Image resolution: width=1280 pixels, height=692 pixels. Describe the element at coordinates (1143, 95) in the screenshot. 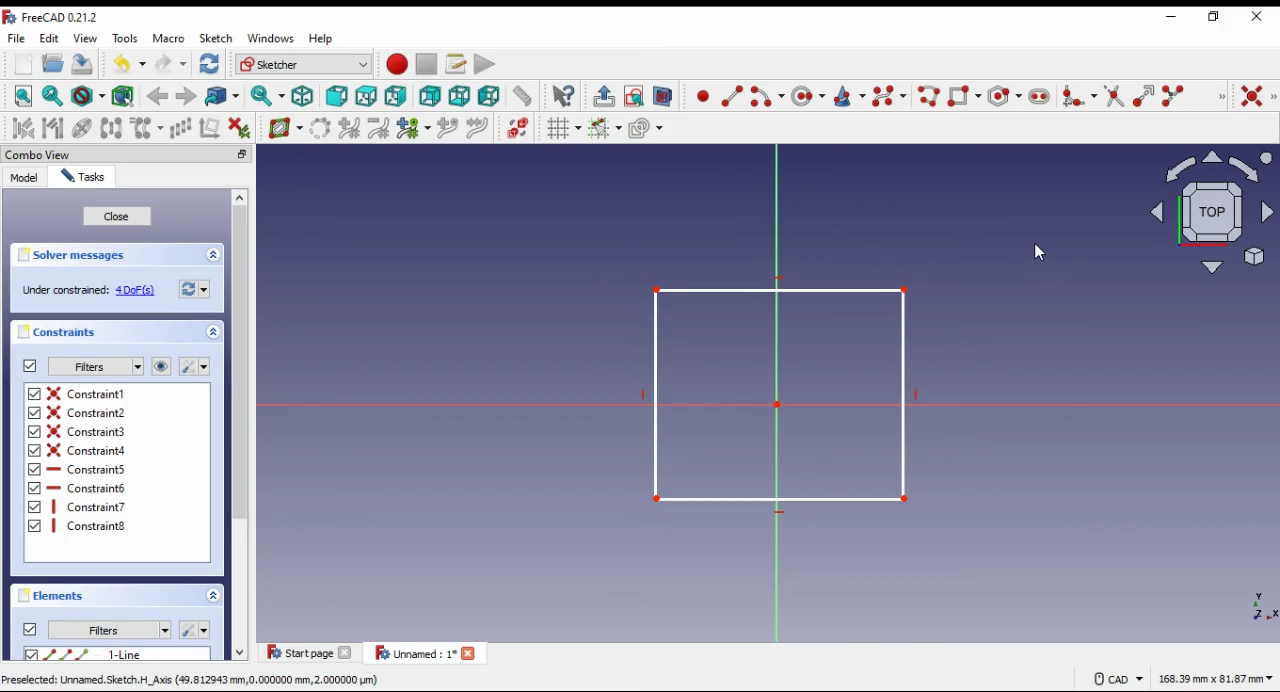

I see `extend  edge` at that location.